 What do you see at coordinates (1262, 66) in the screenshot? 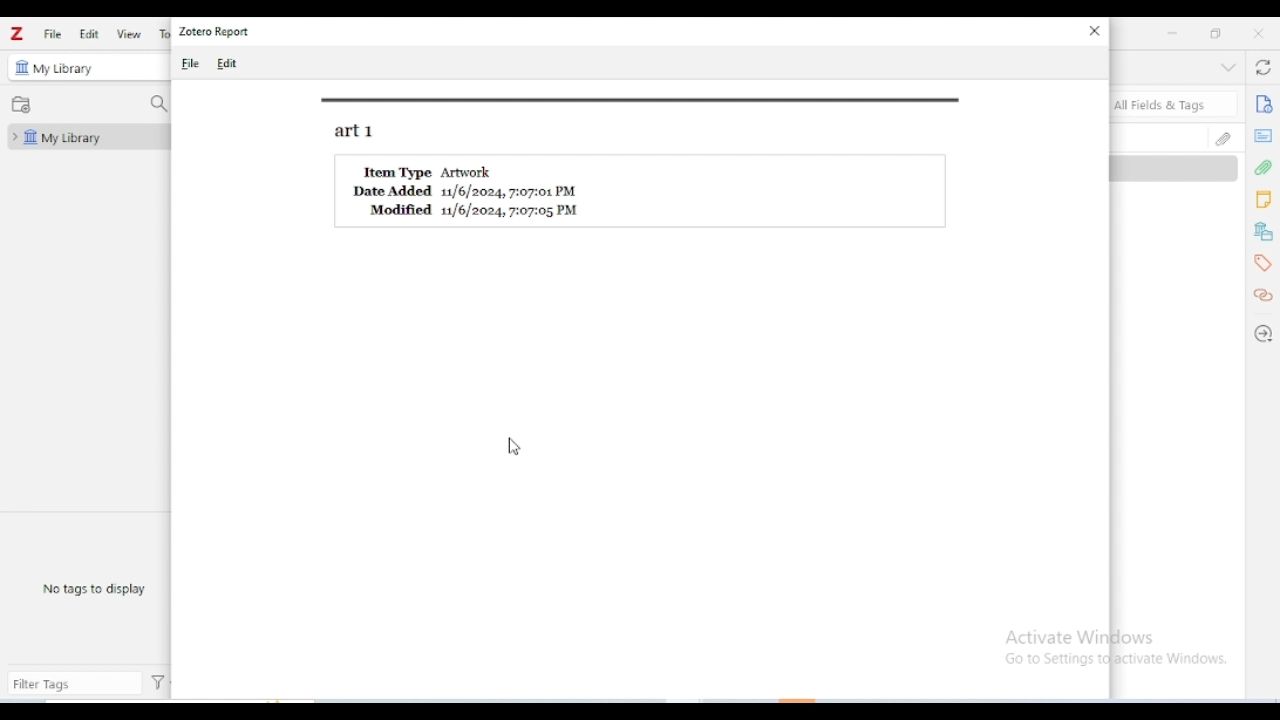
I see `sync with zotero.org` at bounding box center [1262, 66].